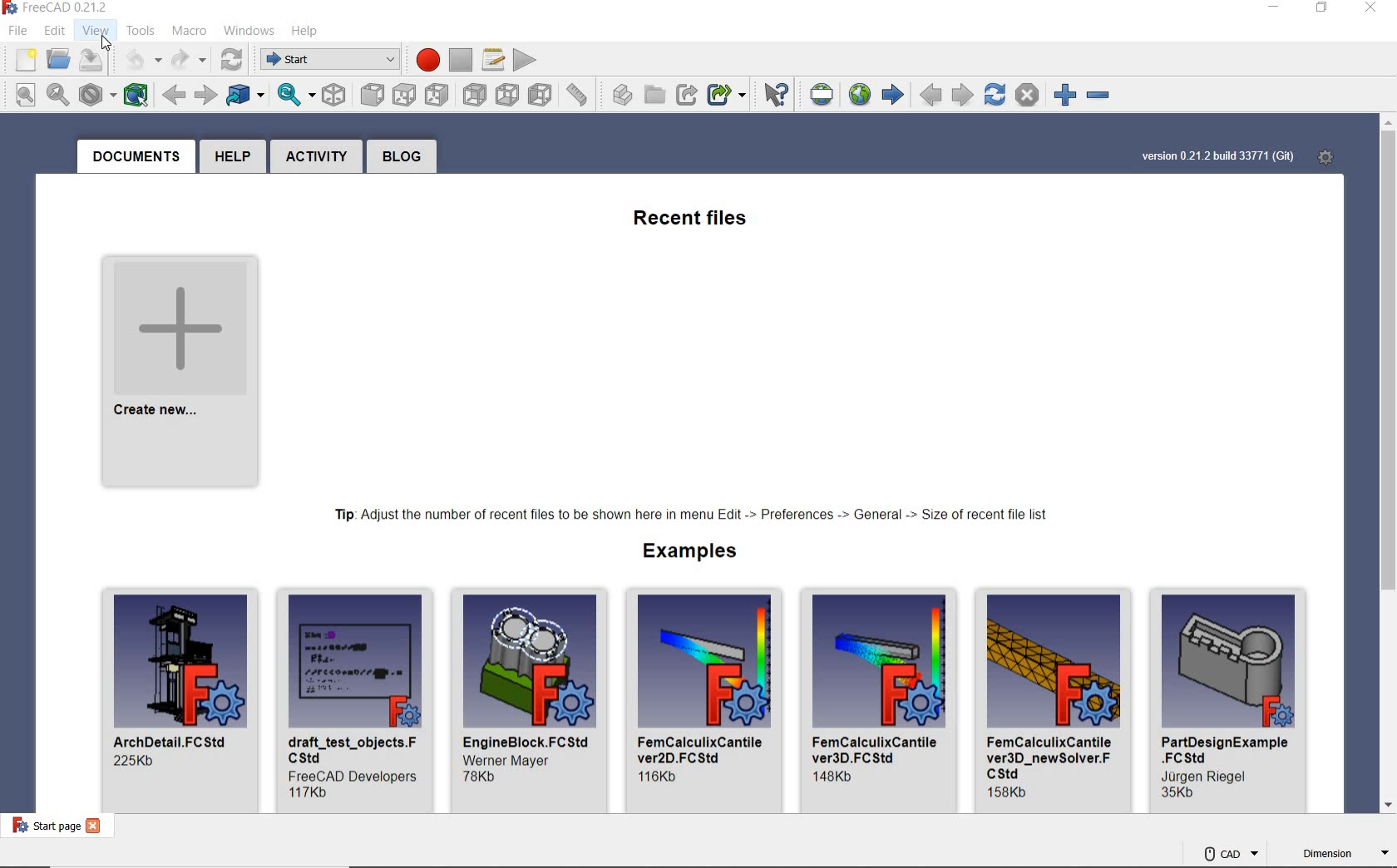 The width and height of the screenshot is (1397, 868). I want to click on cursor, so click(107, 45).